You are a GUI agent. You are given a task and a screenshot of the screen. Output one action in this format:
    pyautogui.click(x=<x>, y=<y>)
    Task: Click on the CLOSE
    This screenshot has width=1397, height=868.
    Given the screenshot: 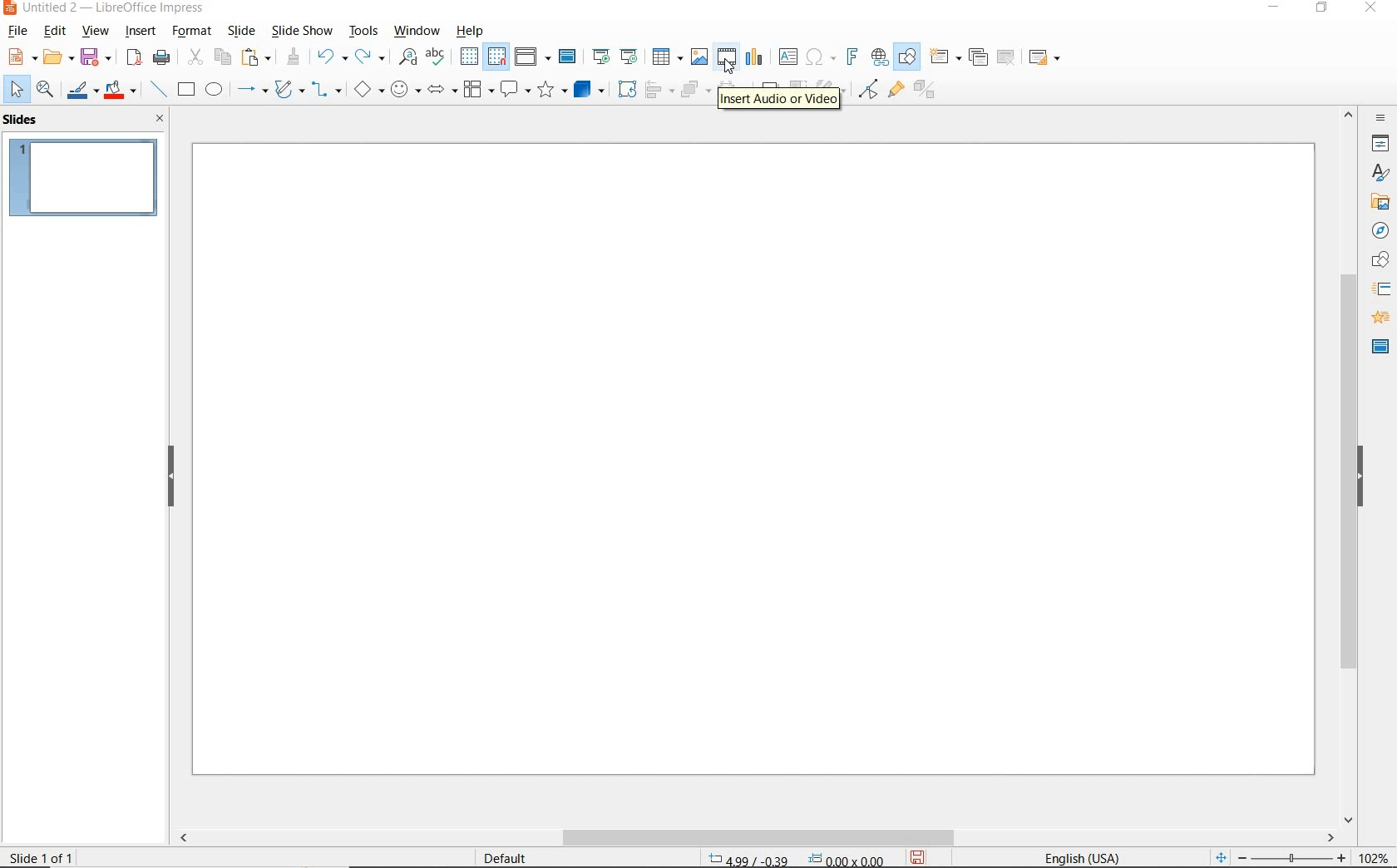 What is the action you would take?
    pyautogui.click(x=1374, y=7)
    